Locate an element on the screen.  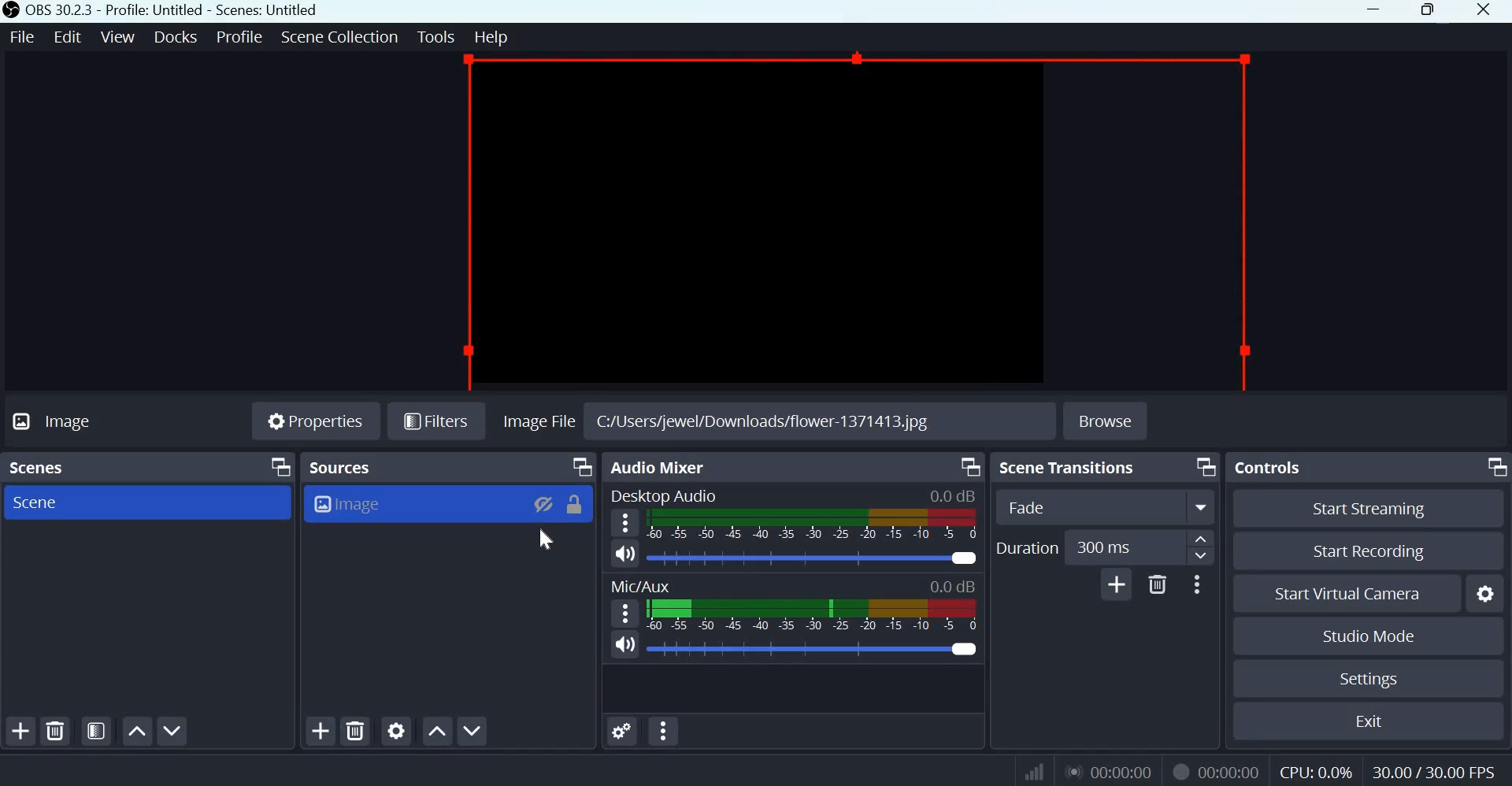
Scene transitions is located at coordinates (1065, 469).